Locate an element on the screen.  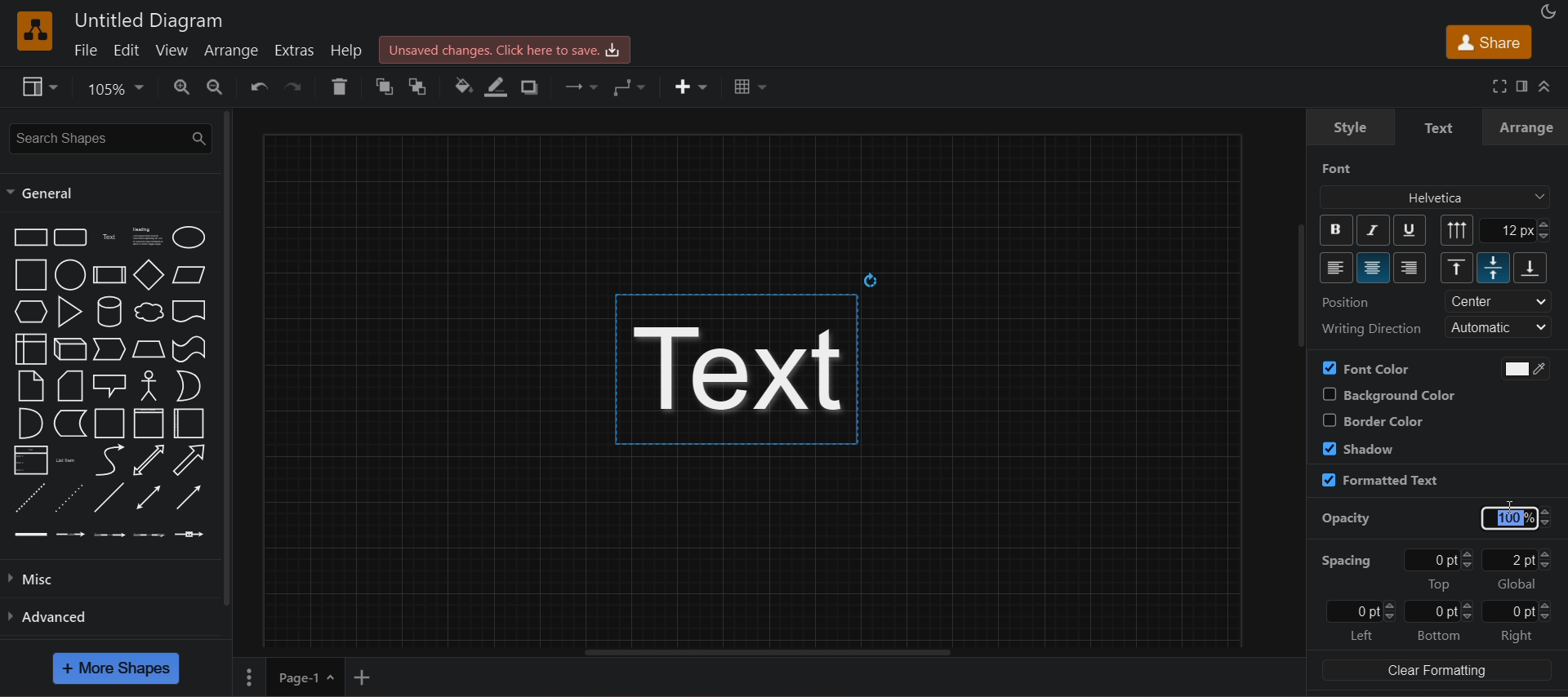
pages is located at coordinates (247, 676).